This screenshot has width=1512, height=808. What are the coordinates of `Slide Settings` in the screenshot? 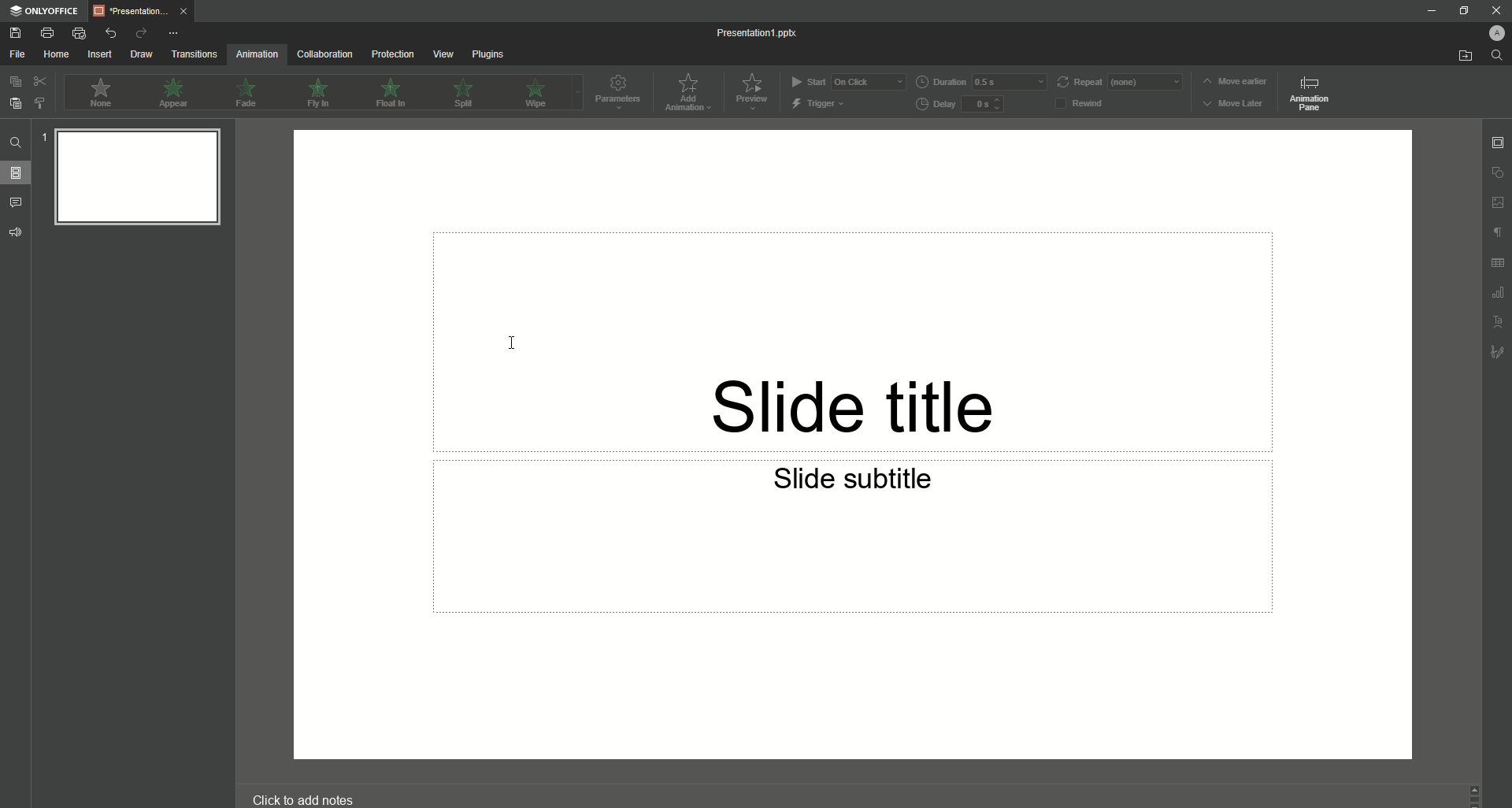 It's located at (1498, 141).